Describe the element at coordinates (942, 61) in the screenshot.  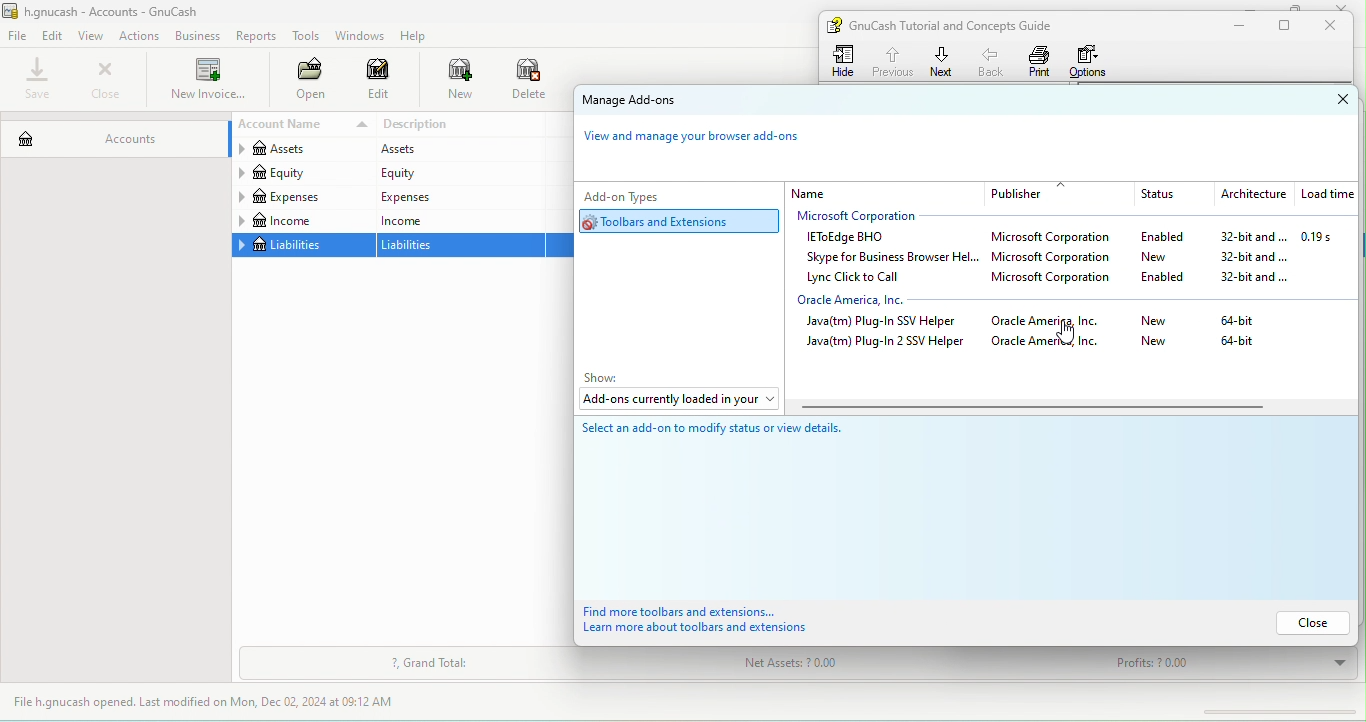
I see `next` at that location.